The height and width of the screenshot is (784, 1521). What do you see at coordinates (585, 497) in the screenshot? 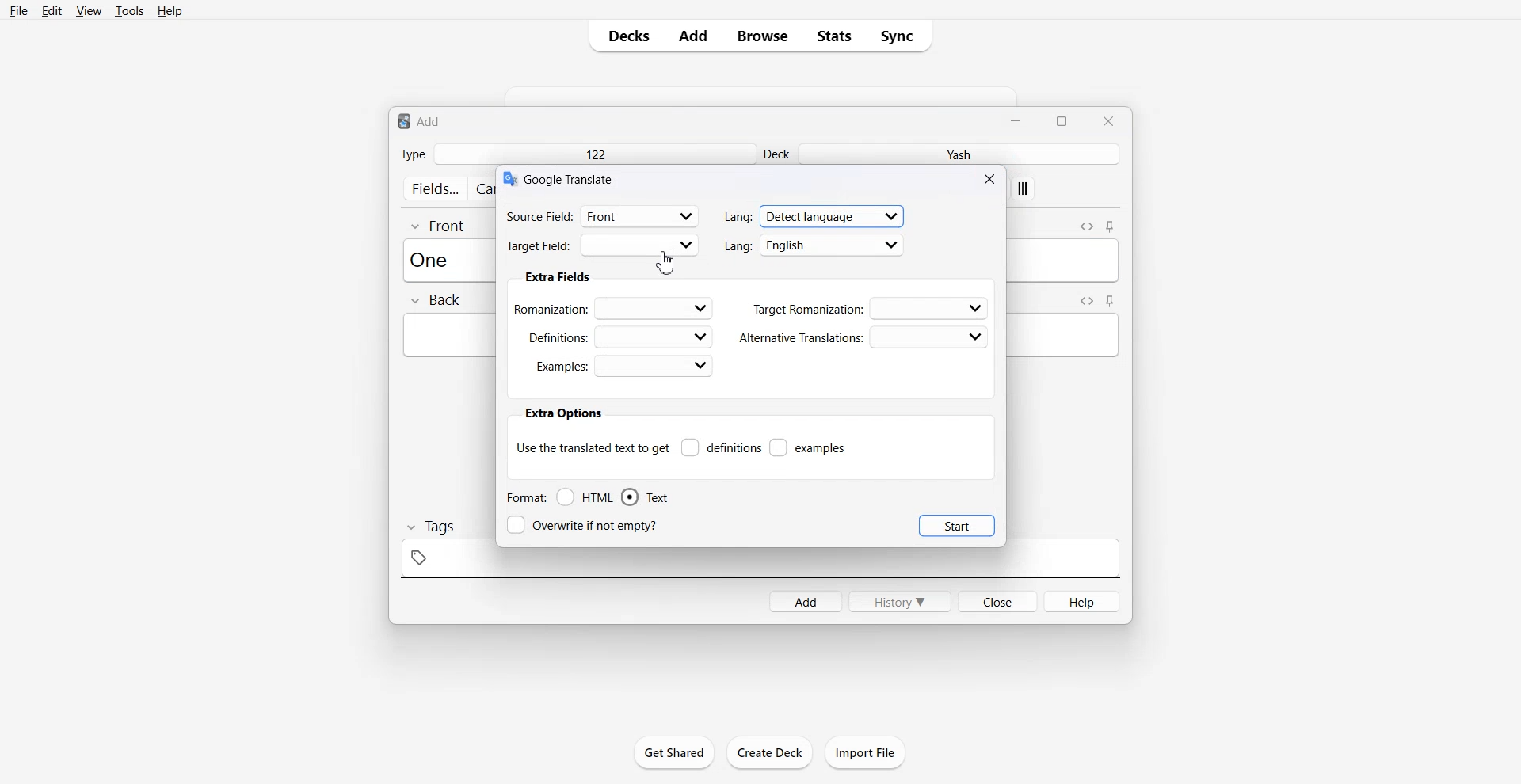
I see `HTML` at bounding box center [585, 497].